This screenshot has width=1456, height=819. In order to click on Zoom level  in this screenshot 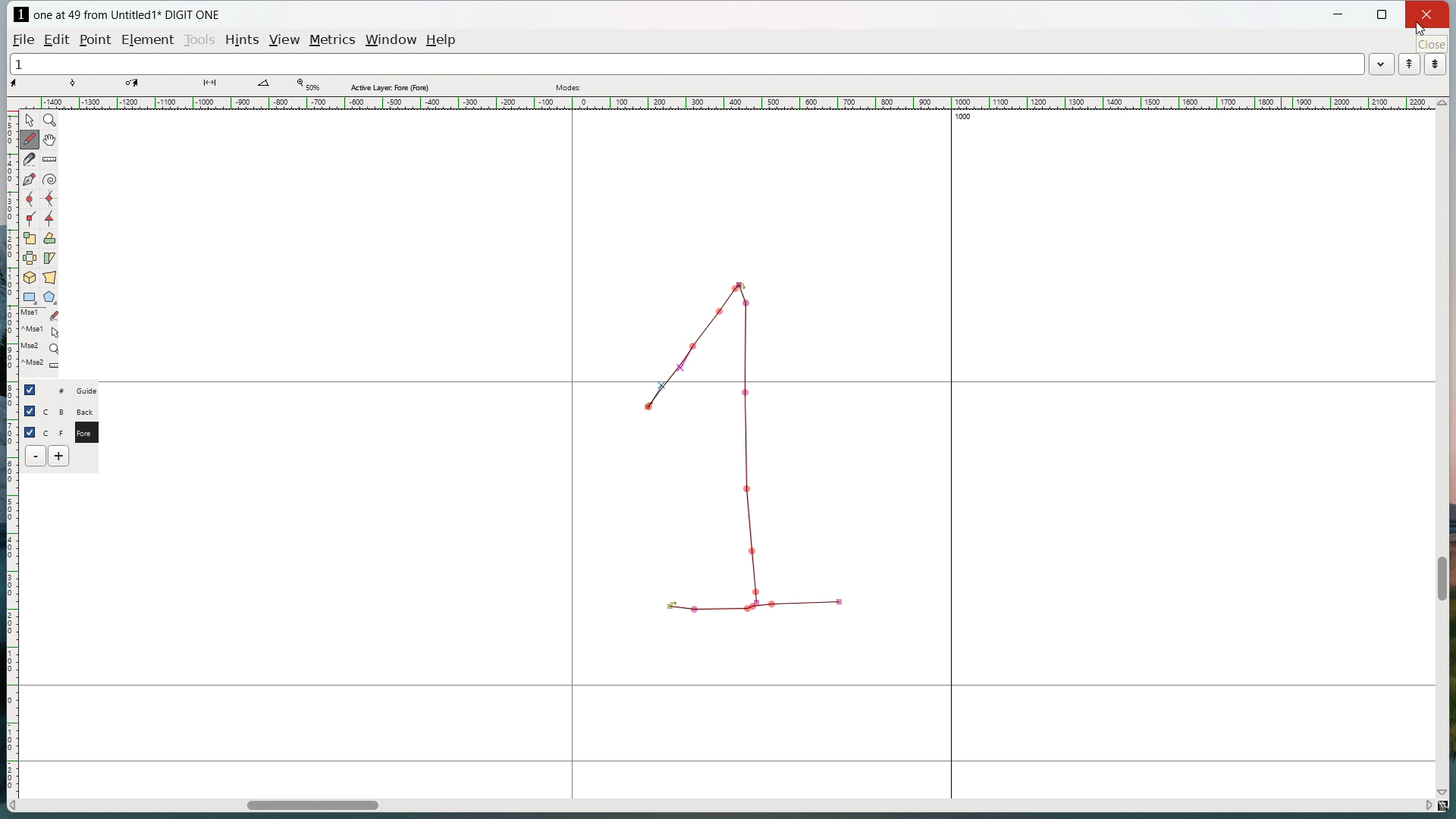, I will do `click(307, 86)`.